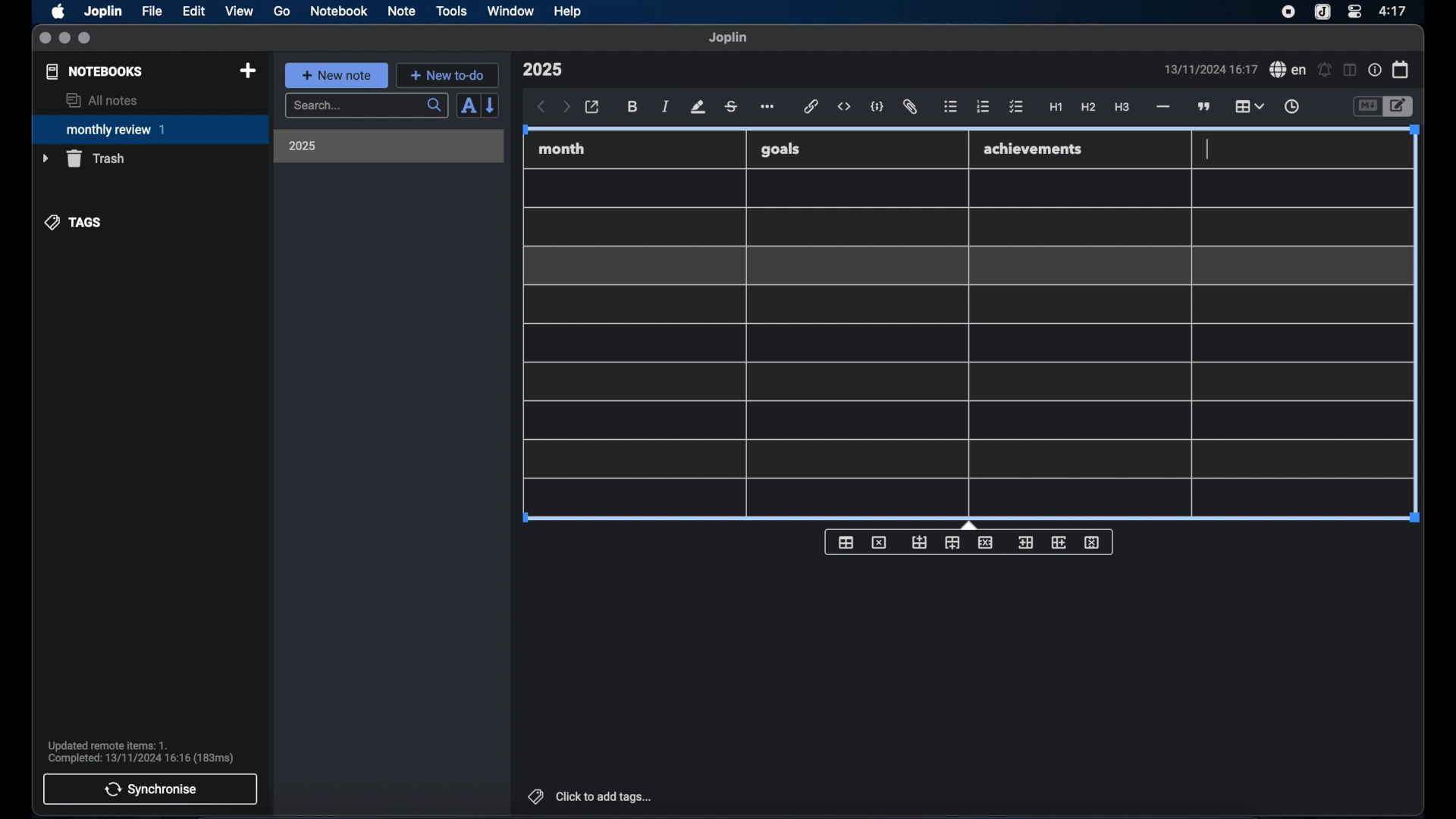  I want to click on all notes, so click(102, 100).